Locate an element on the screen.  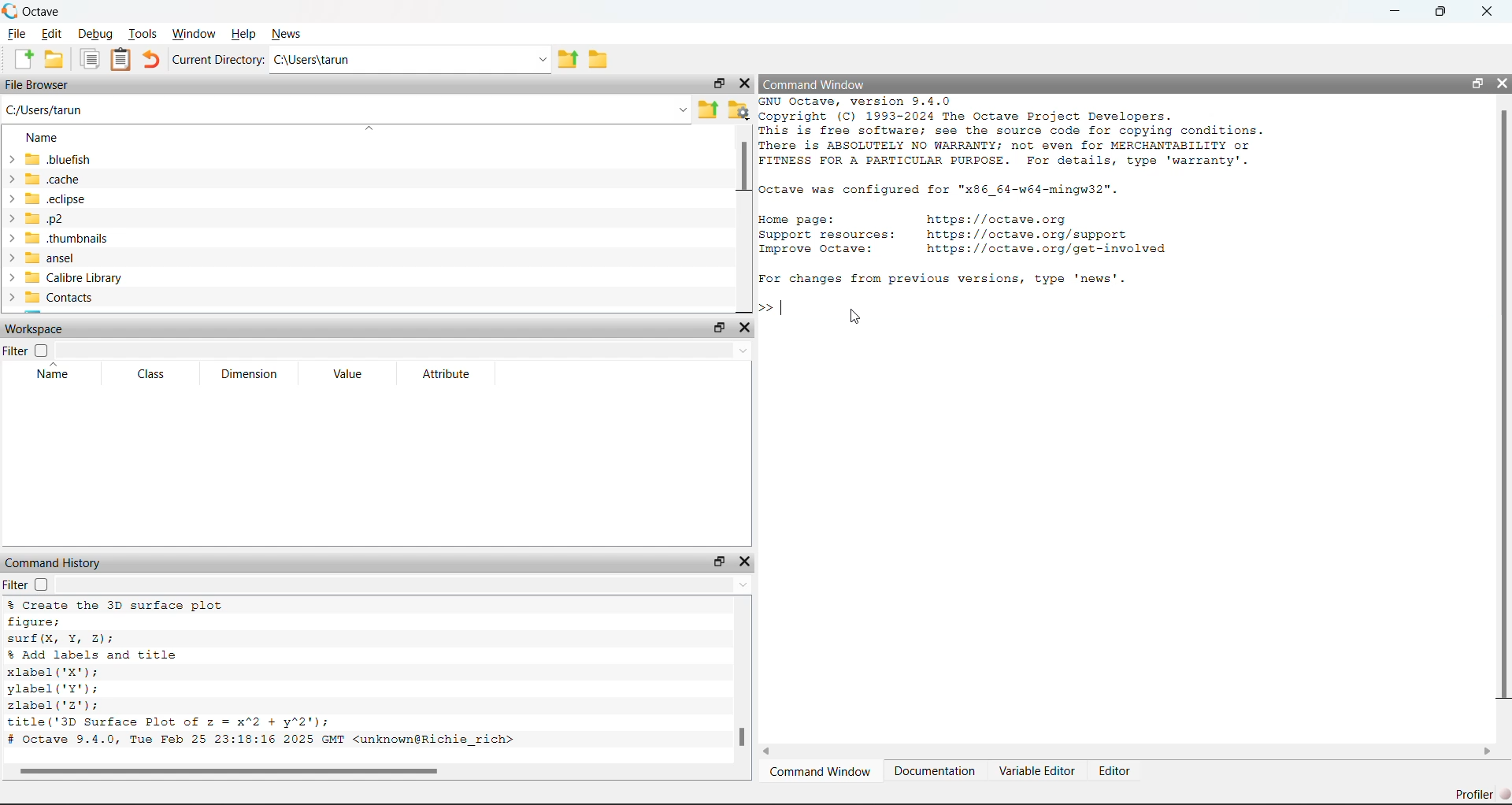
title('3D Surface Plot of z = x"2 + y*2'); is located at coordinates (172, 722).